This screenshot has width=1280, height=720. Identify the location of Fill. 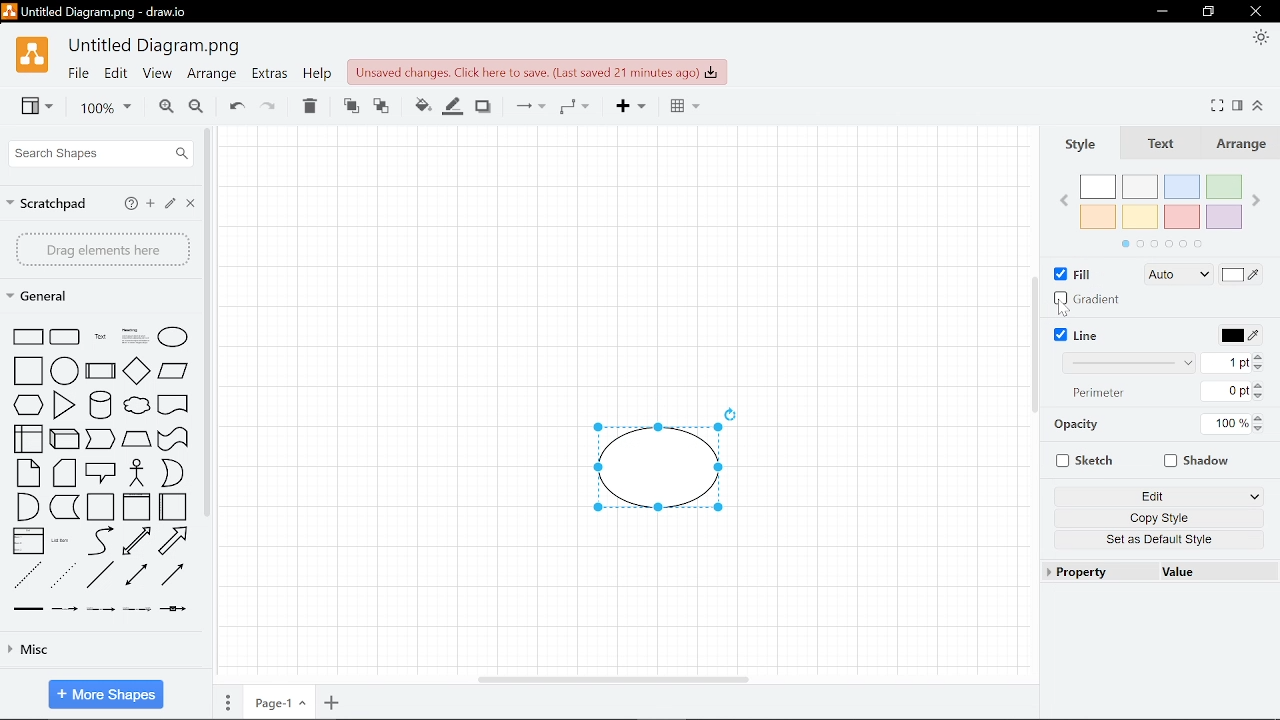
(1070, 273).